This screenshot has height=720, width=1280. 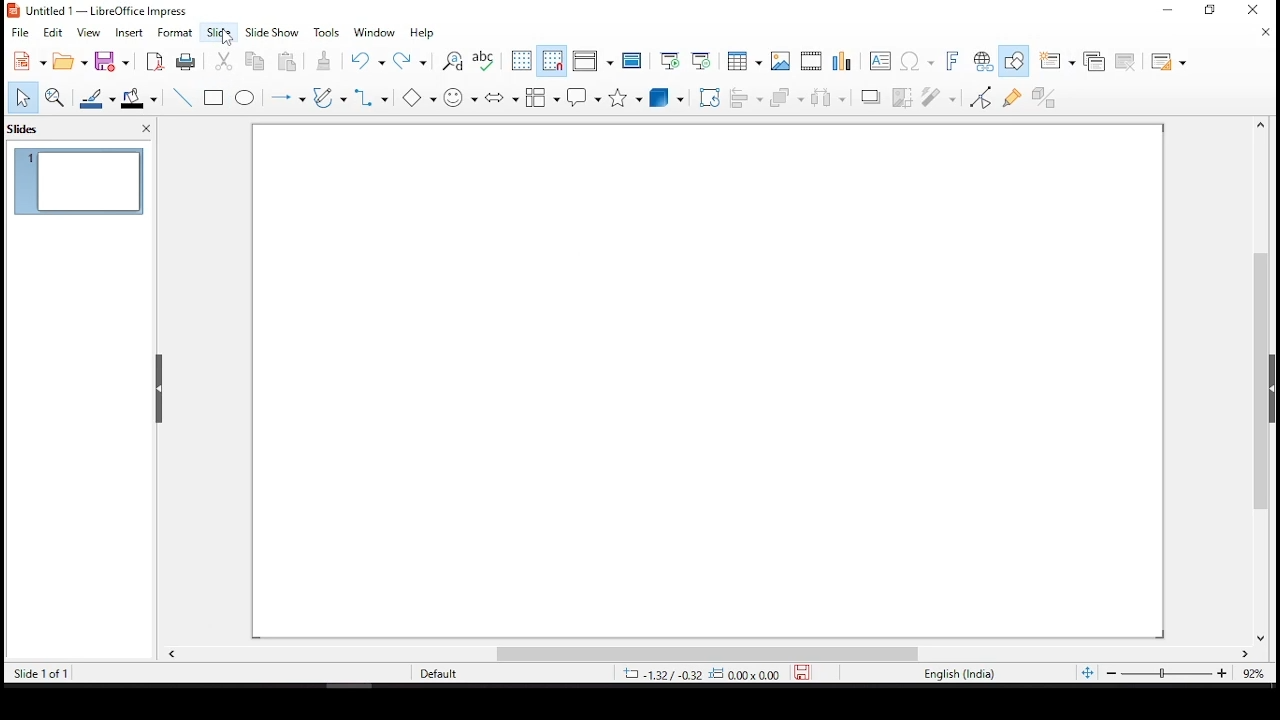 What do you see at coordinates (70, 59) in the screenshot?
I see `open` at bounding box center [70, 59].